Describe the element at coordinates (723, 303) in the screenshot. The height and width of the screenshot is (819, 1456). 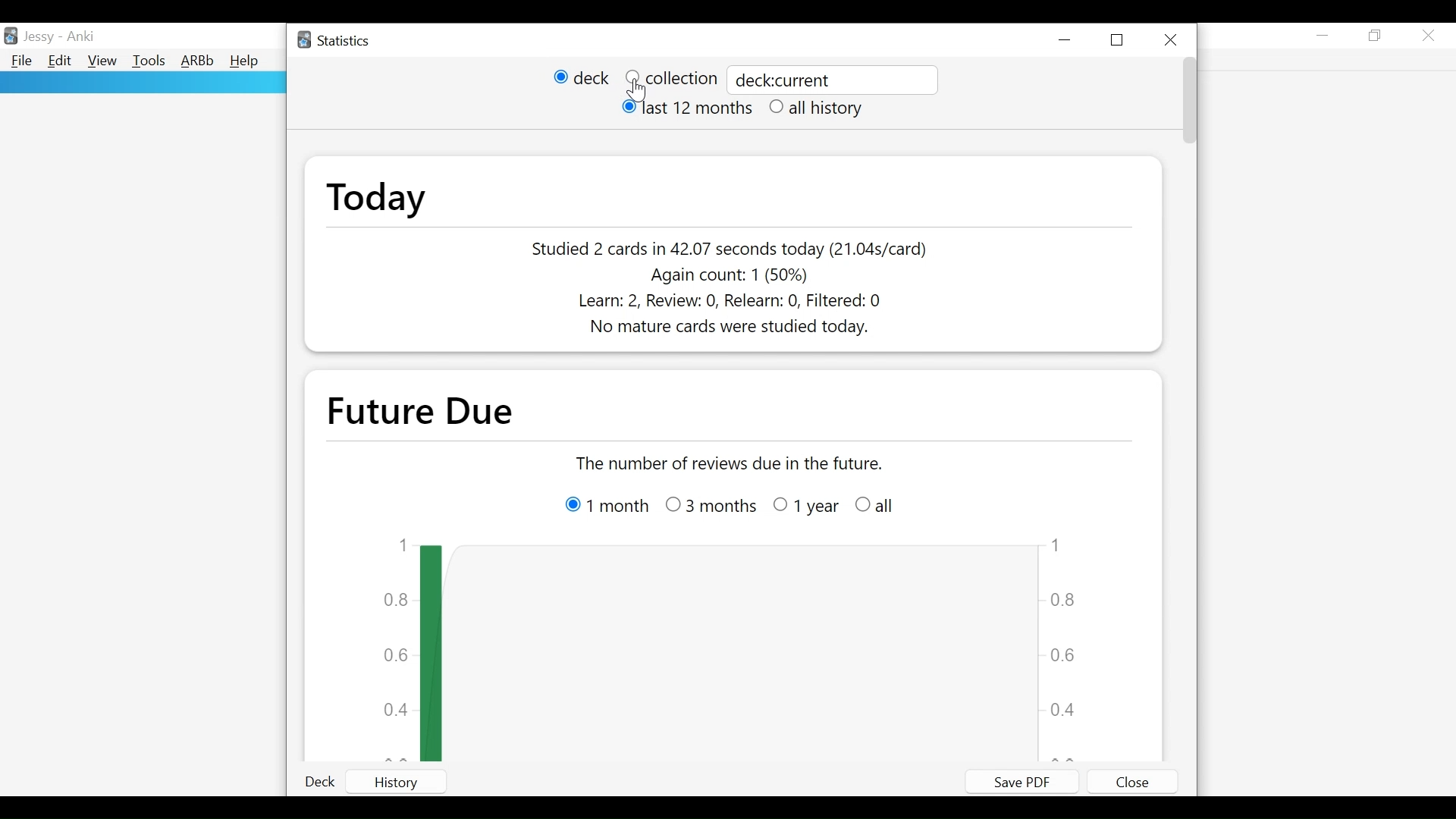
I see `Learn count, Review count, Relearn count, Filtered count` at that location.